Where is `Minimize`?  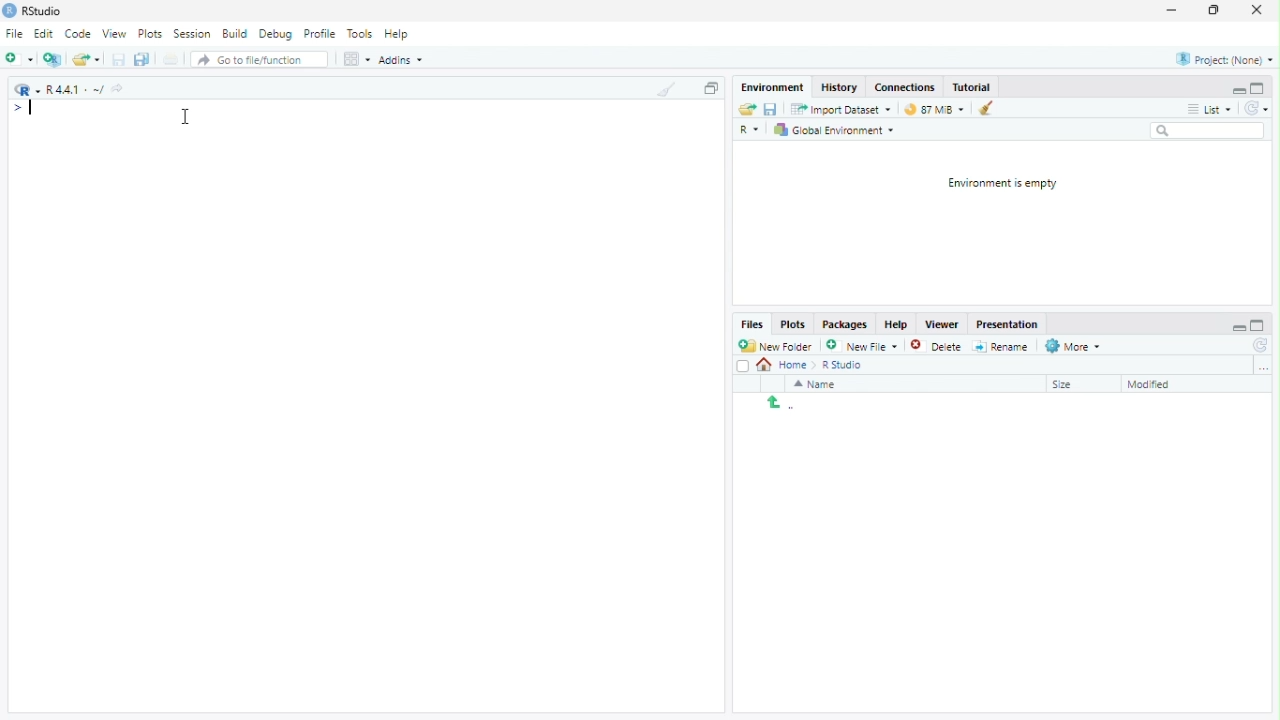 Minimize is located at coordinates (1238, 326).